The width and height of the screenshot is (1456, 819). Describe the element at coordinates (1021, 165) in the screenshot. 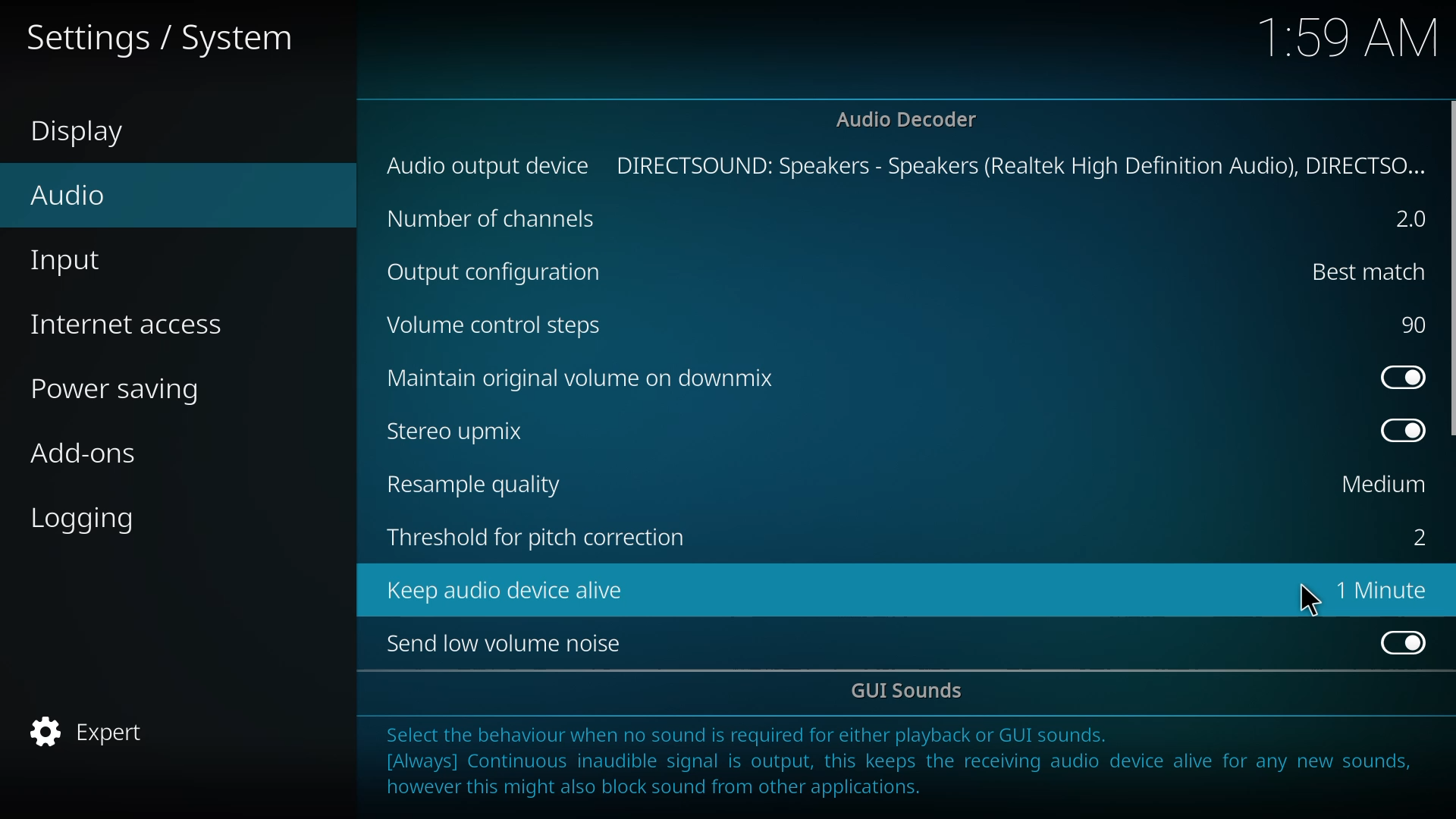

I see `directsound` at that location.